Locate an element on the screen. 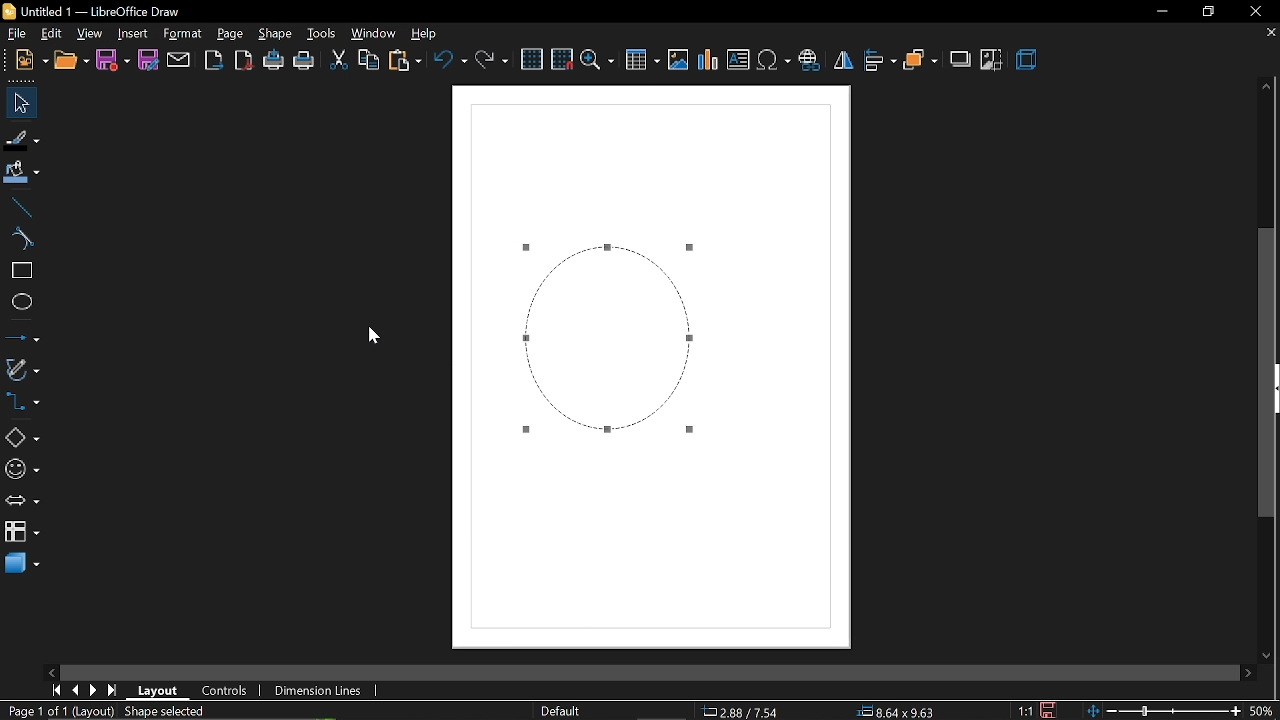  print directly is located at coordinates (273, 61).